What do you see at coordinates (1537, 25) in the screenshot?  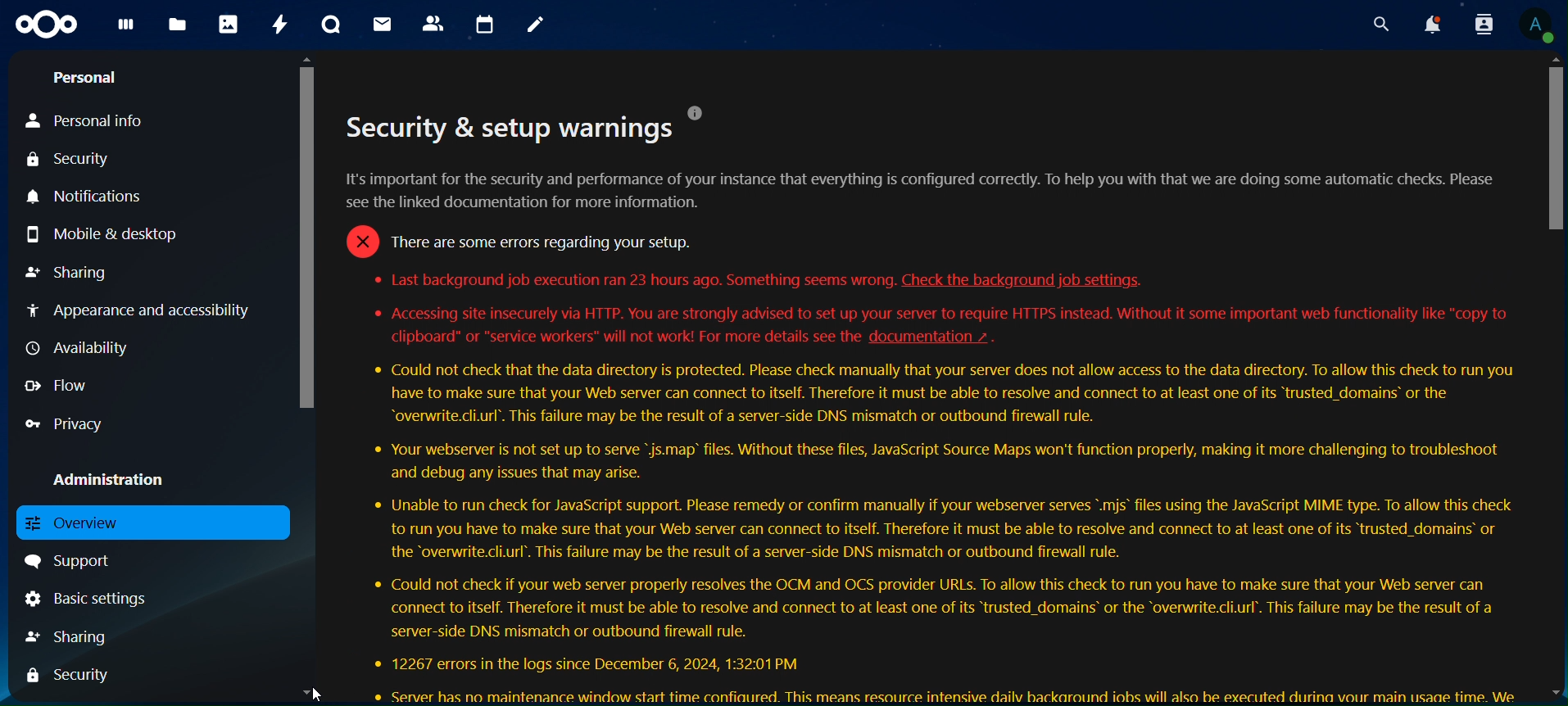 I see `View Profile` at bounding box center [1537, 25].